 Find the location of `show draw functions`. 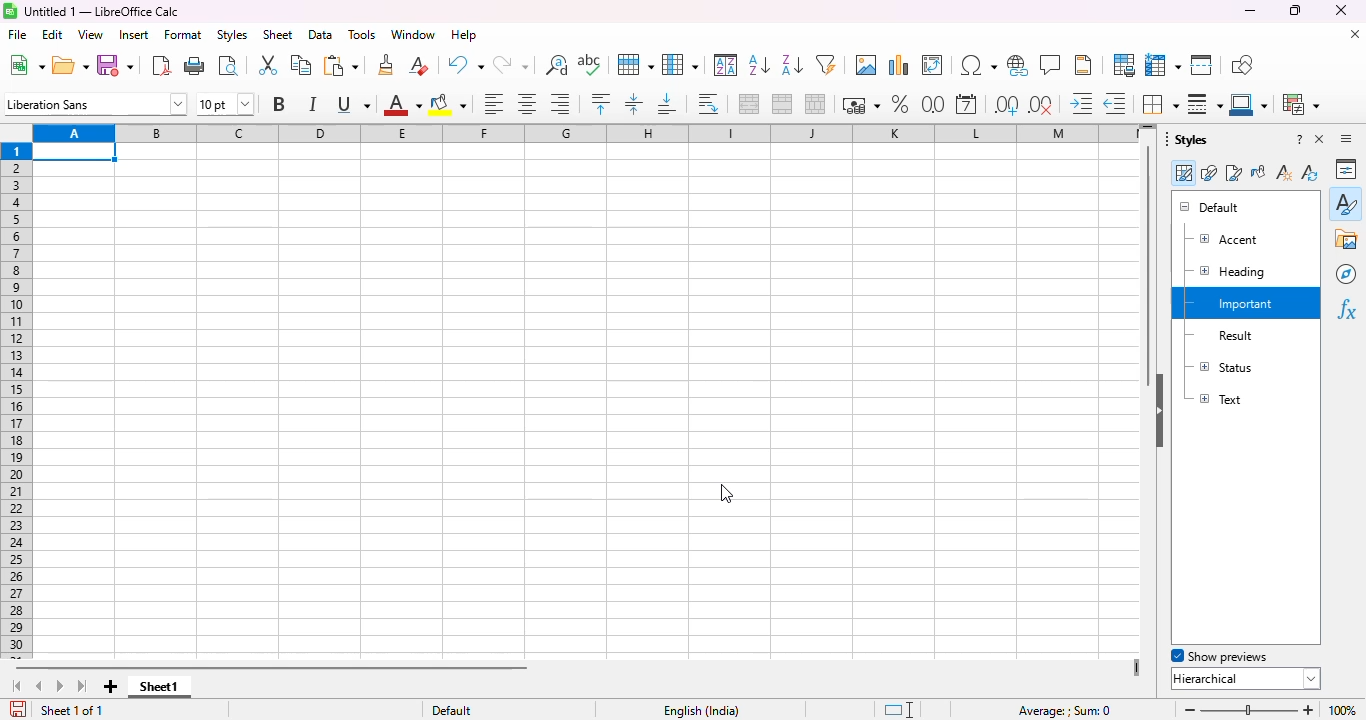

show draw functions is located at coordinates (1242, 65).